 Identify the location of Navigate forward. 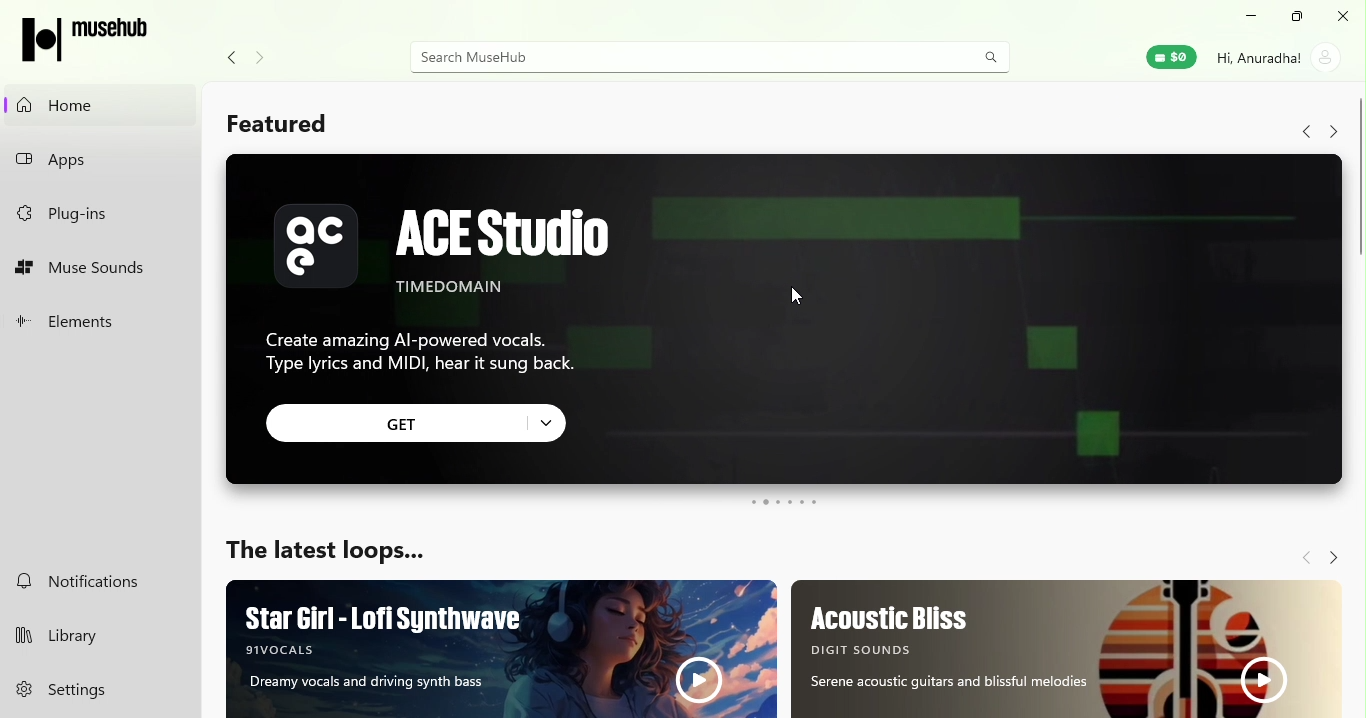
(1332, 133).